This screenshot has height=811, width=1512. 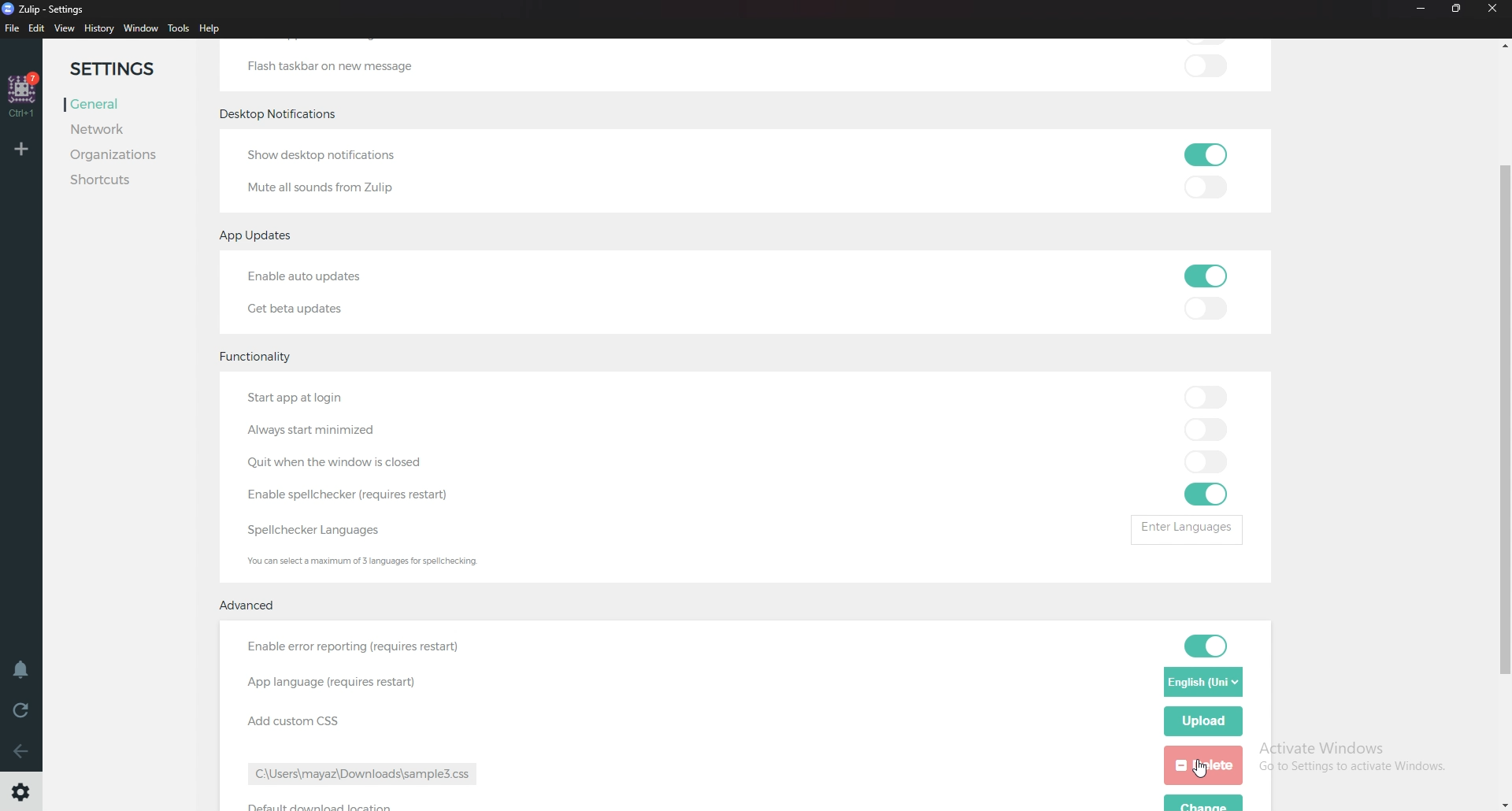 What do you see at coordinates (24, 790) in the screenshot?
I see `Settings` at bounding box center [24, 790].